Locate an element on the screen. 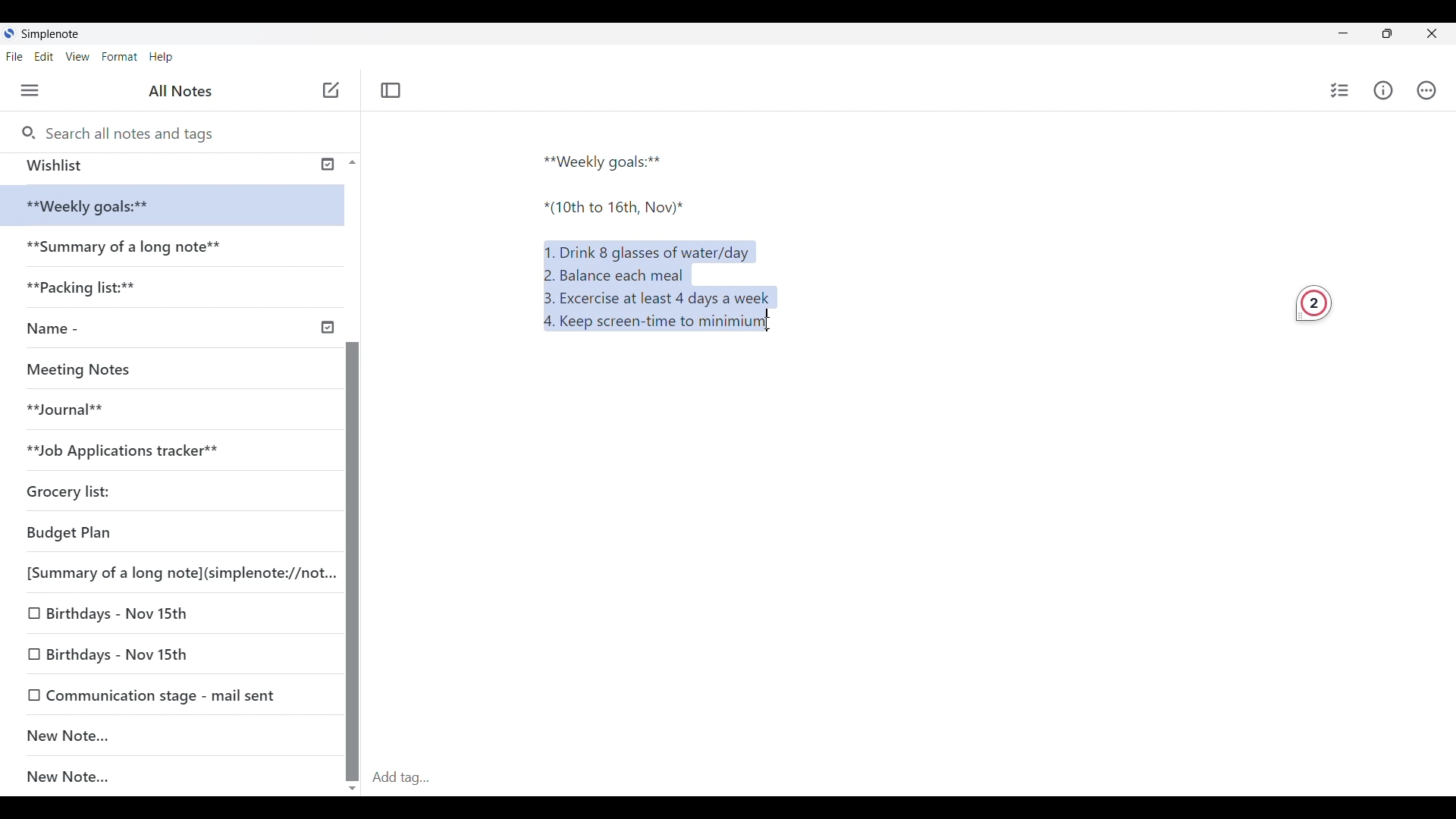 The height and width of the screenshot is (819, 1456). [Summary of a long note](simplenote://not. is located at coordinates (171, 572).